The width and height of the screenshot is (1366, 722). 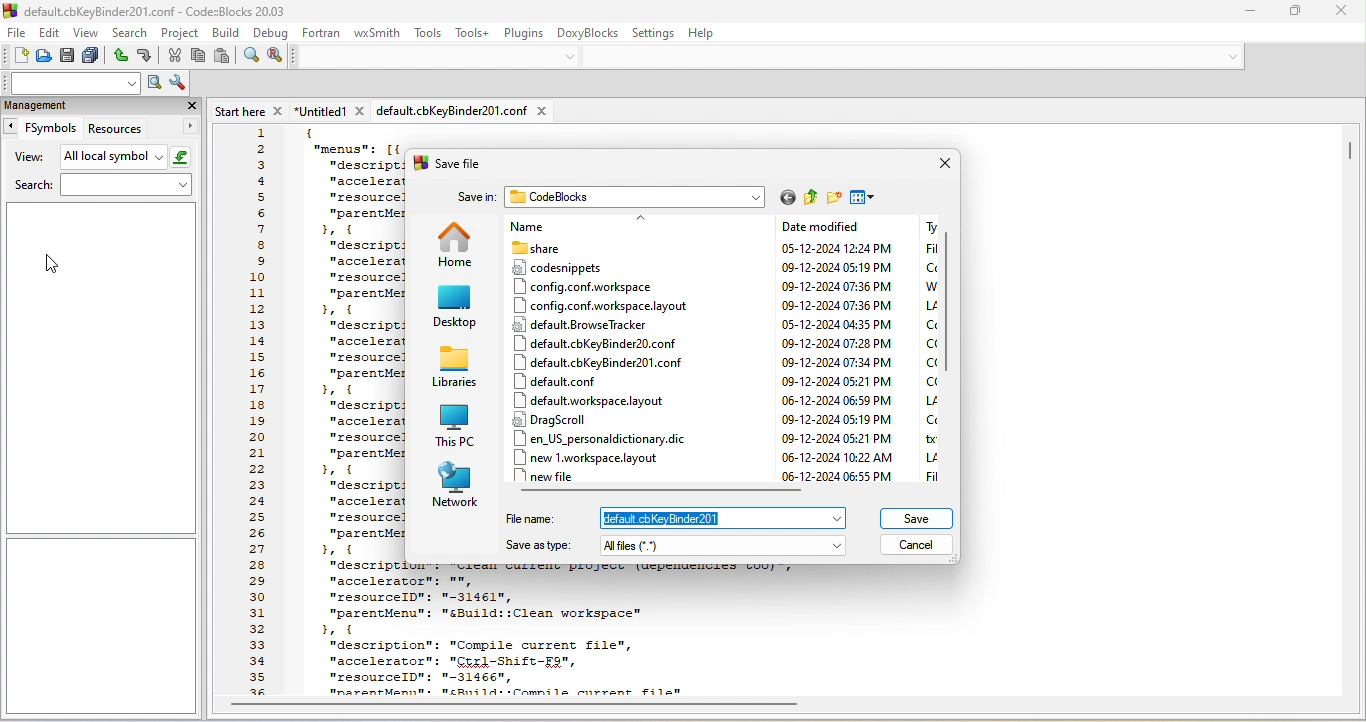 I want to click on vertical scroll bar, so click(x=952, y=306).